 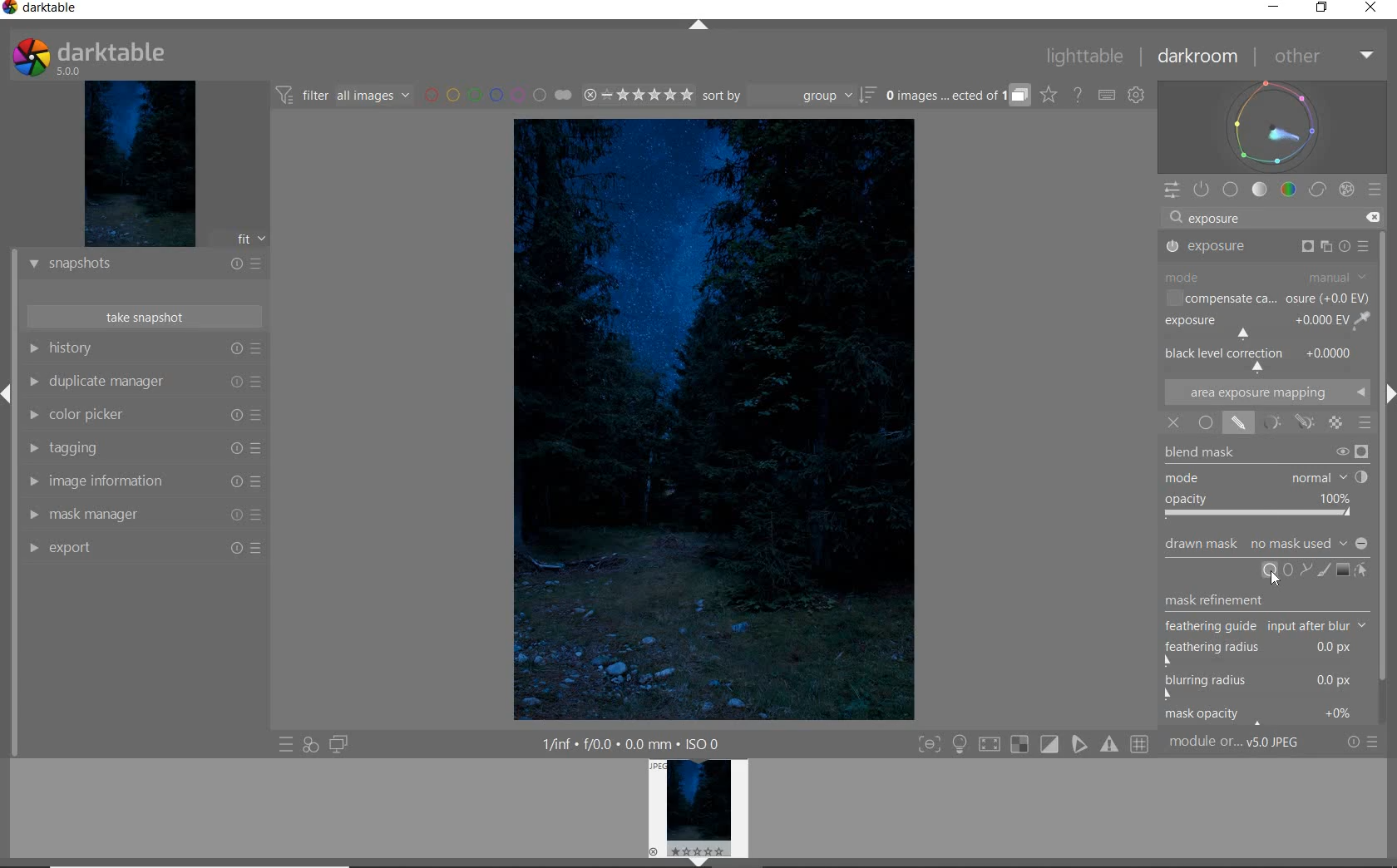 I want to click on exposure, so click(x=1219, y=218).